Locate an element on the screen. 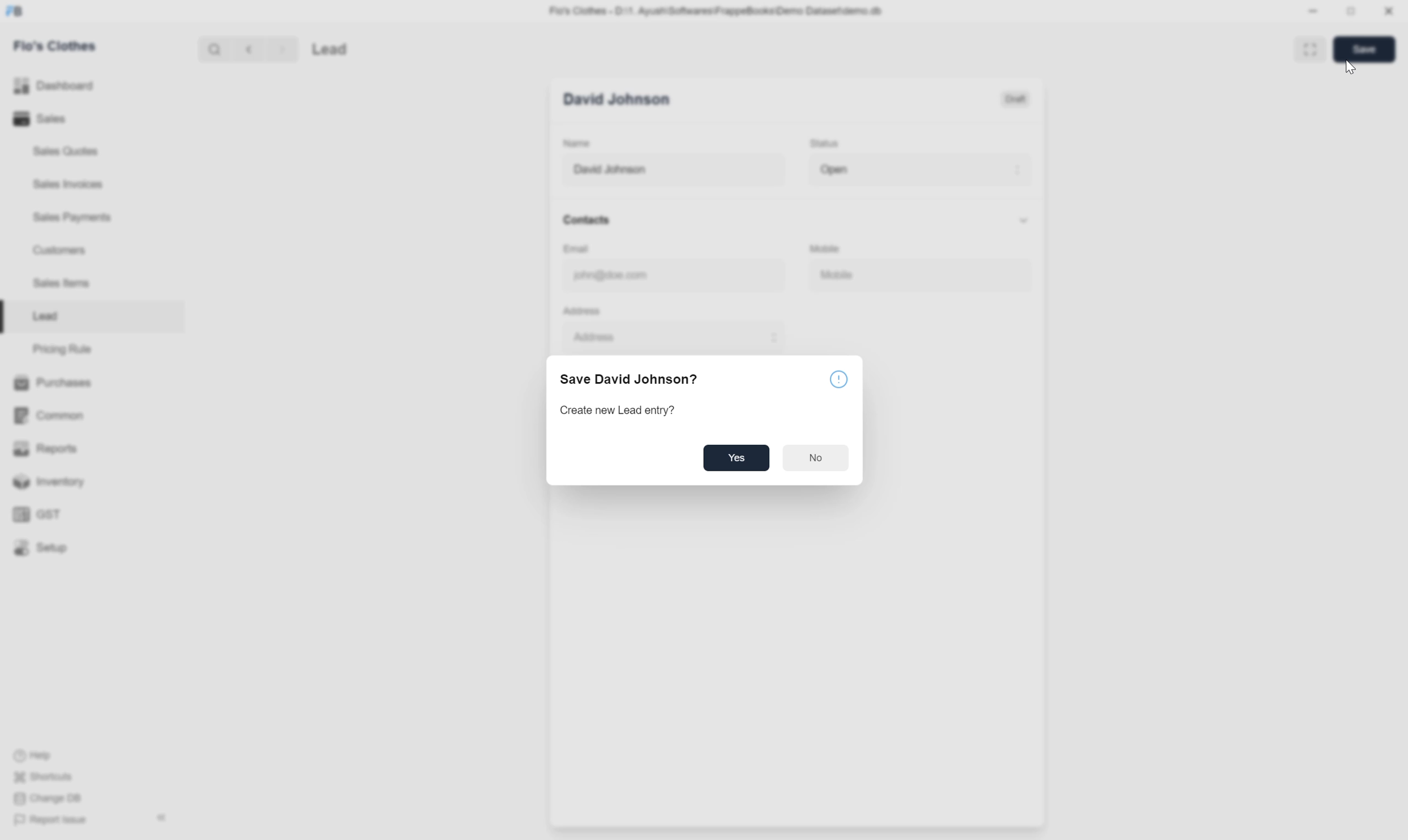  Backward is located at coordinates (245, 48).